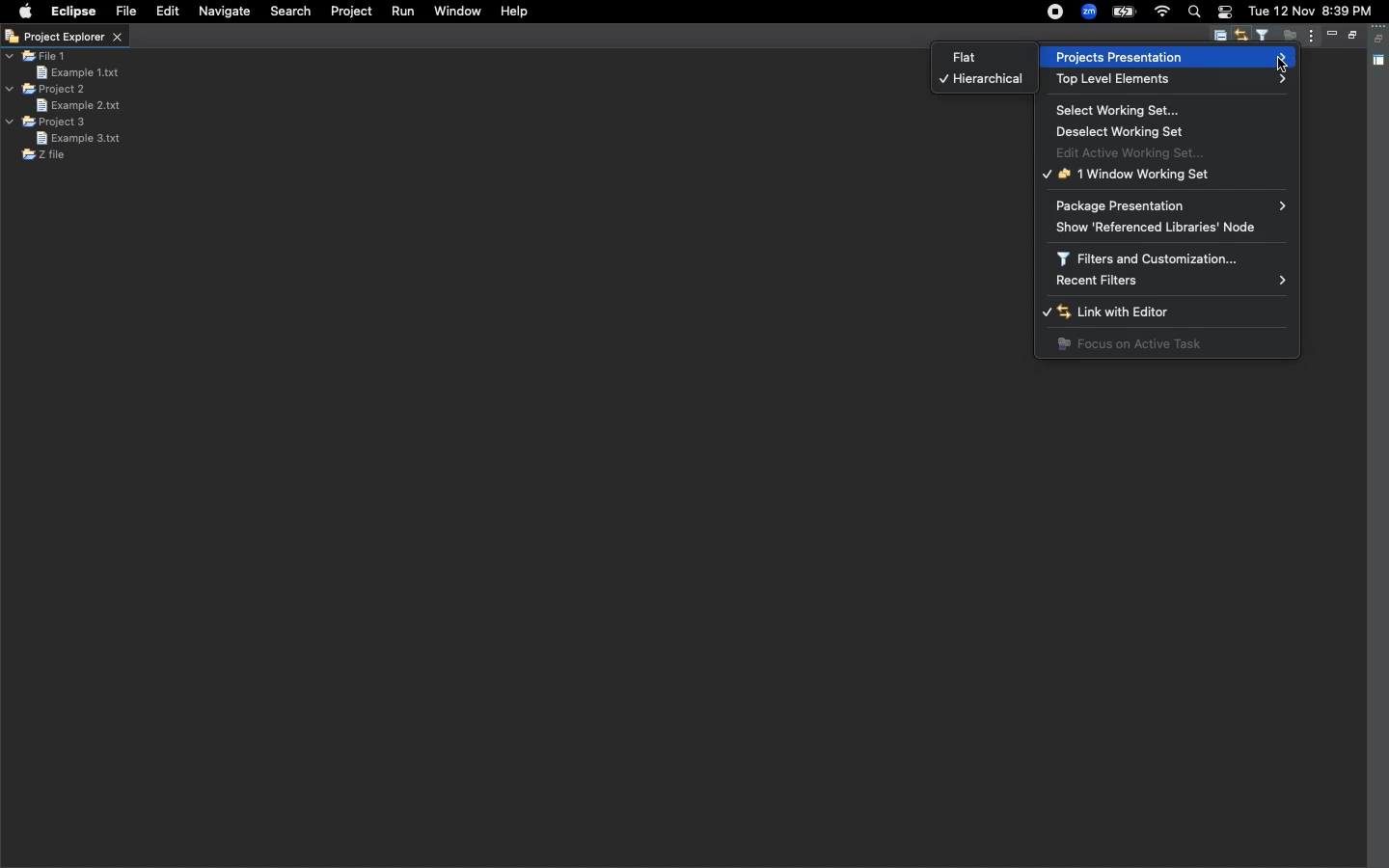 The image size is (1389, 868). What do you see at coordinates (1138, 313) in the screenshot?
I see `Link with editor` at bounding box center [1138, 313].